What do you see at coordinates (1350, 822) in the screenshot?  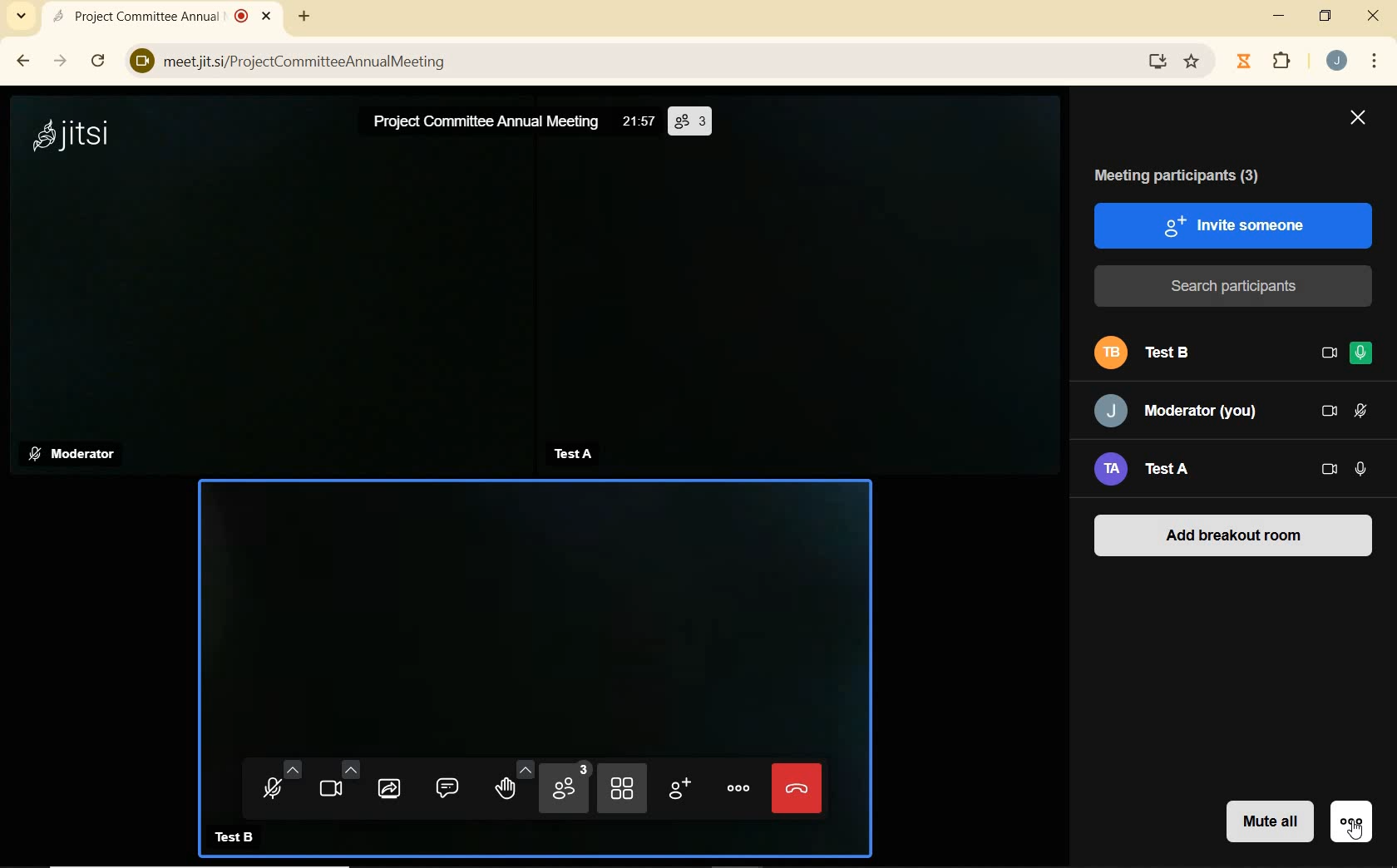 I see `MORE ACTIONS` at bounding box center [1350, 822].